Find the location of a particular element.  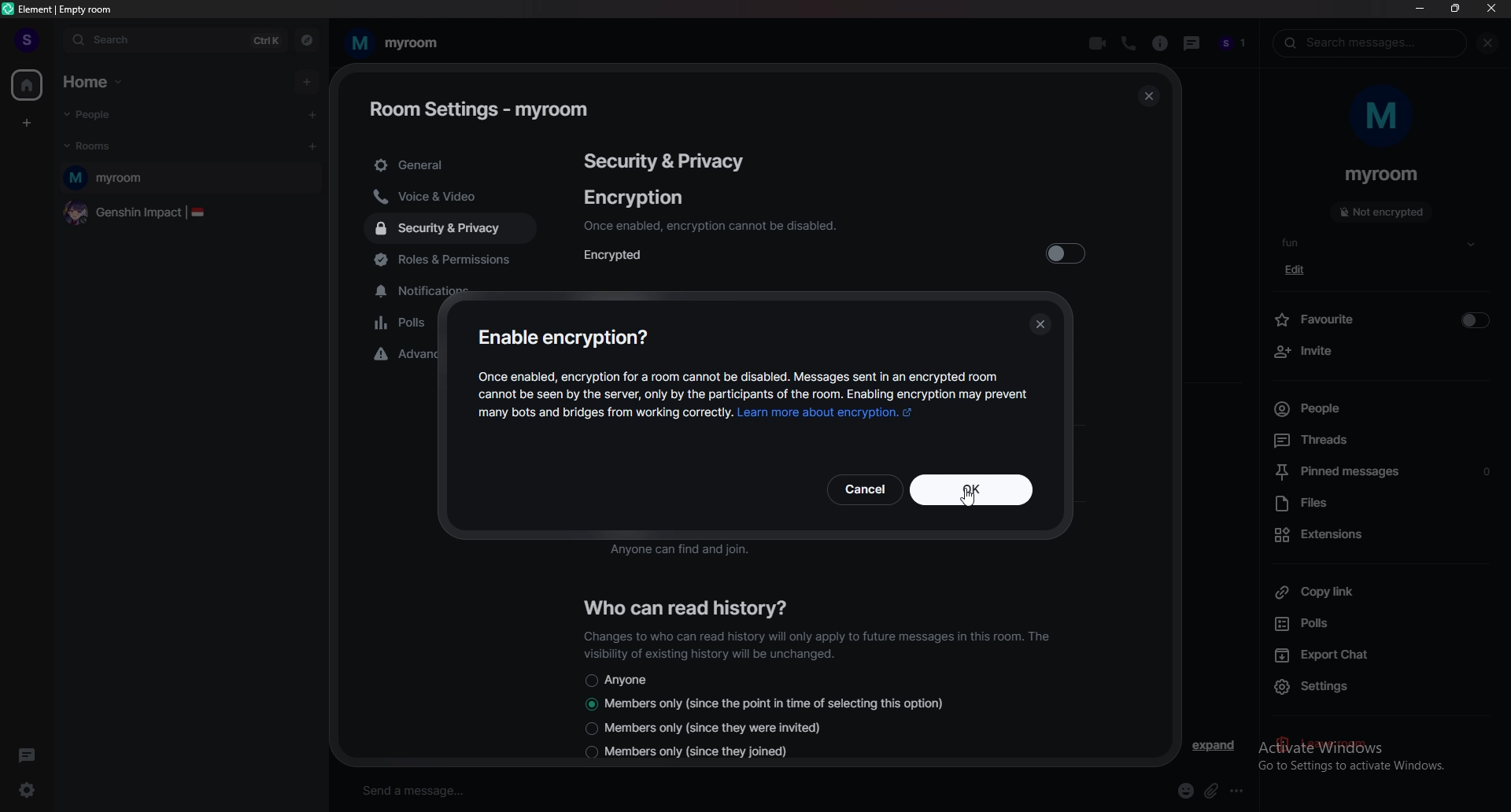

profile is located at coordinates (23, 35).